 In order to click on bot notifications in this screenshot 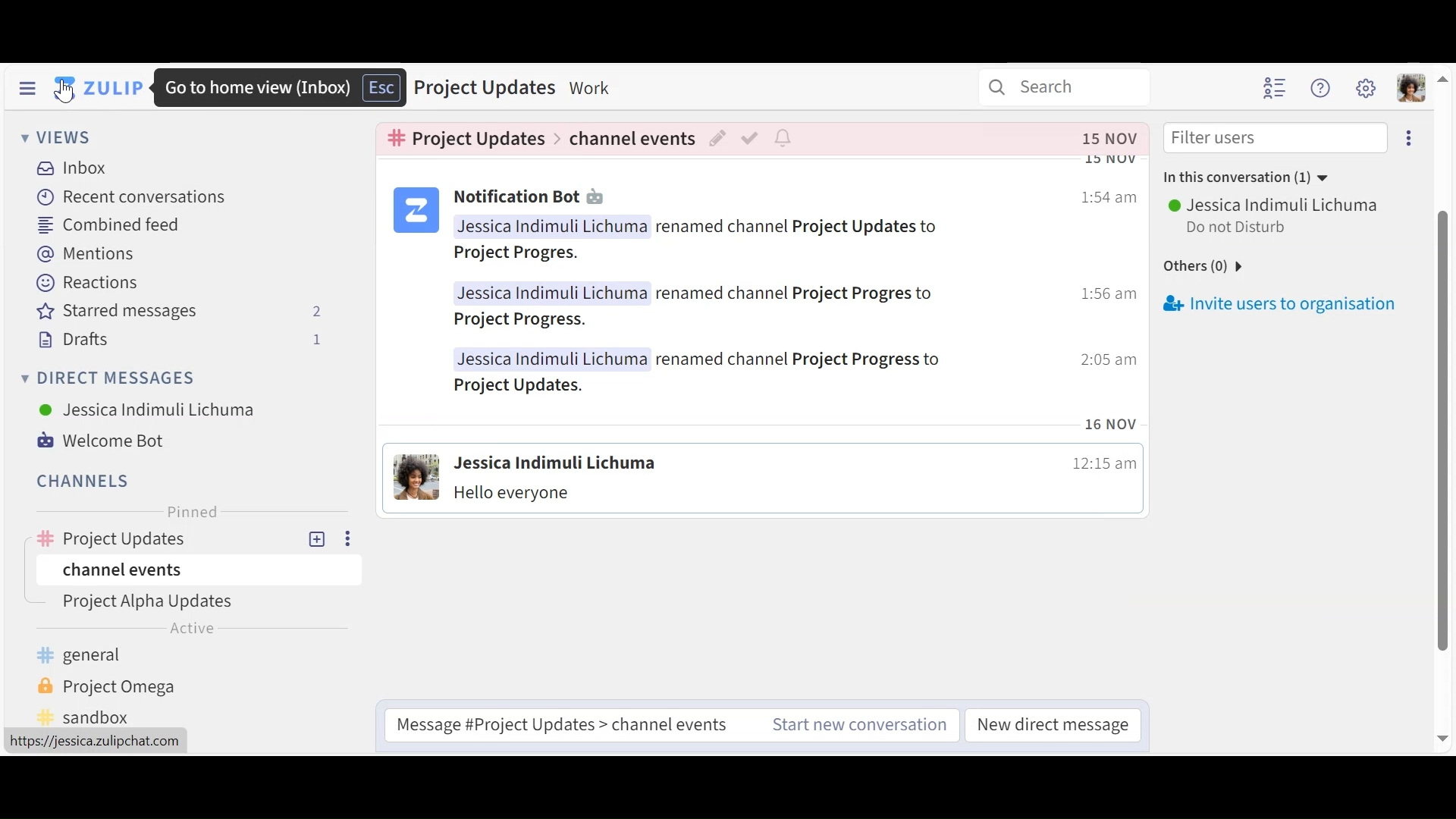, I will do `click(522, 386)`.